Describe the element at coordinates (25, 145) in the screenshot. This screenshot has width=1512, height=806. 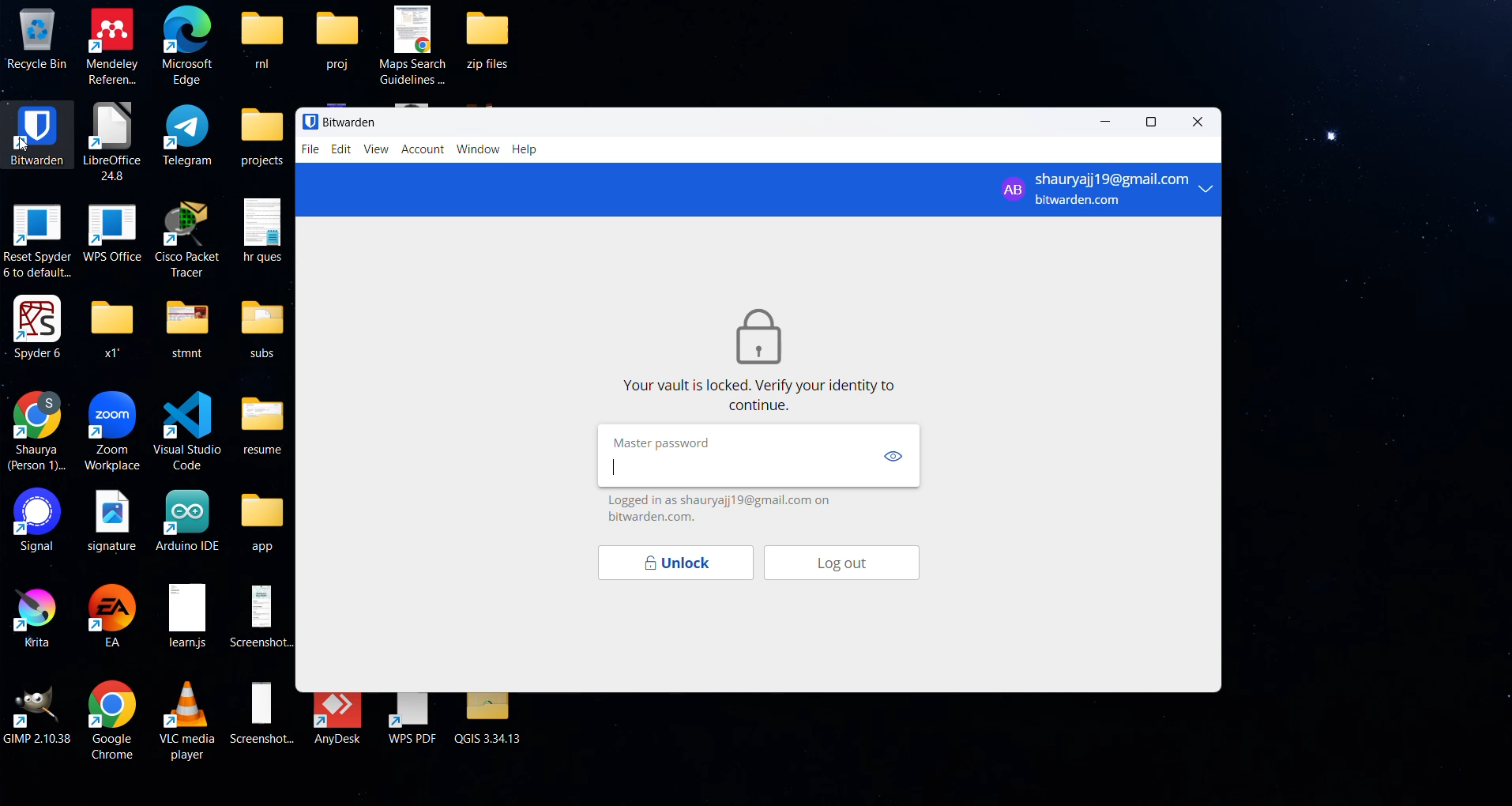
I see `CURSOR` at that location.